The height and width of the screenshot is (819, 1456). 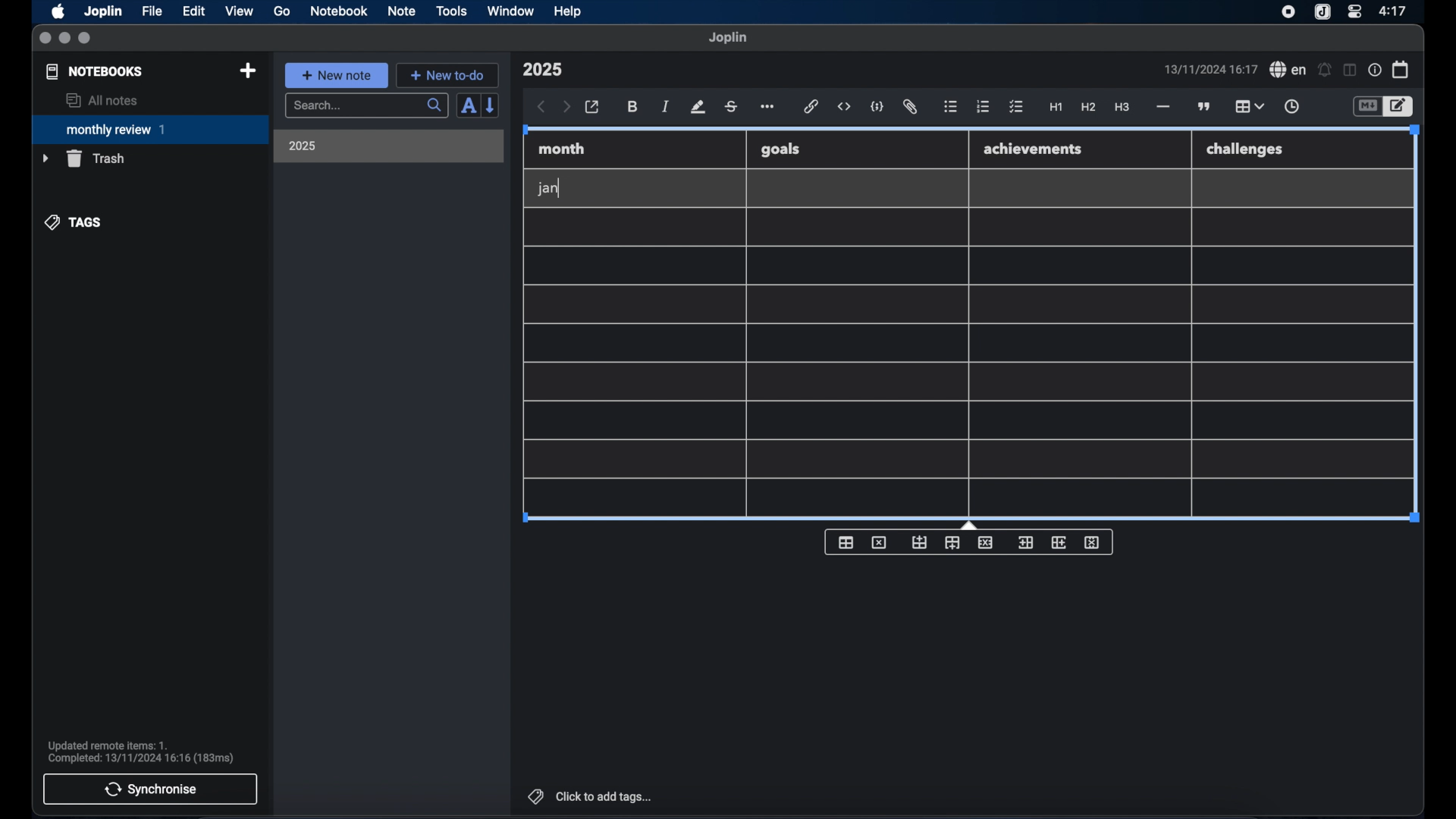 I want to click on heading 3, so click(x=1122, y=108).